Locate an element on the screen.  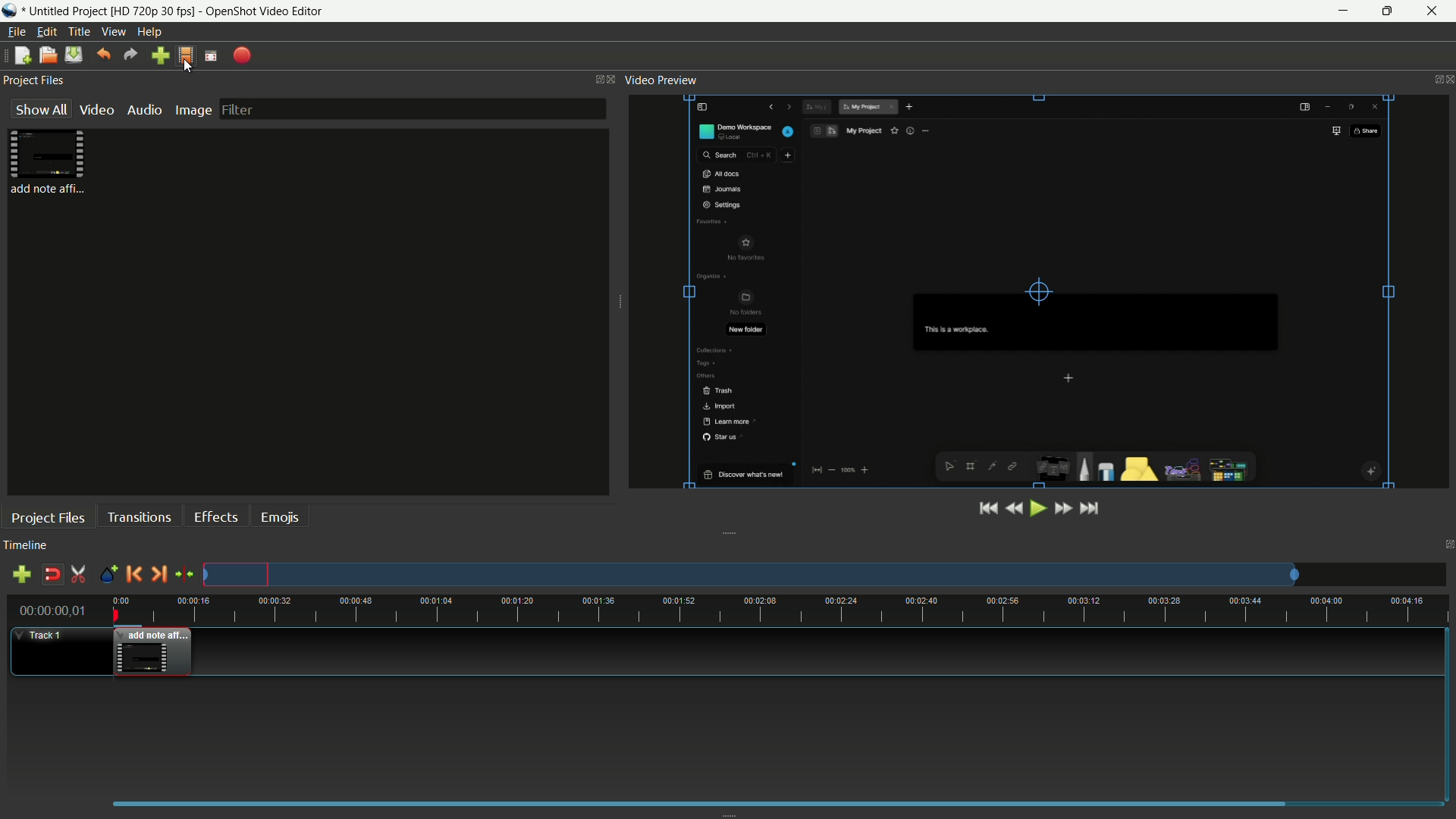
profile is located at coordinates (185, 55).